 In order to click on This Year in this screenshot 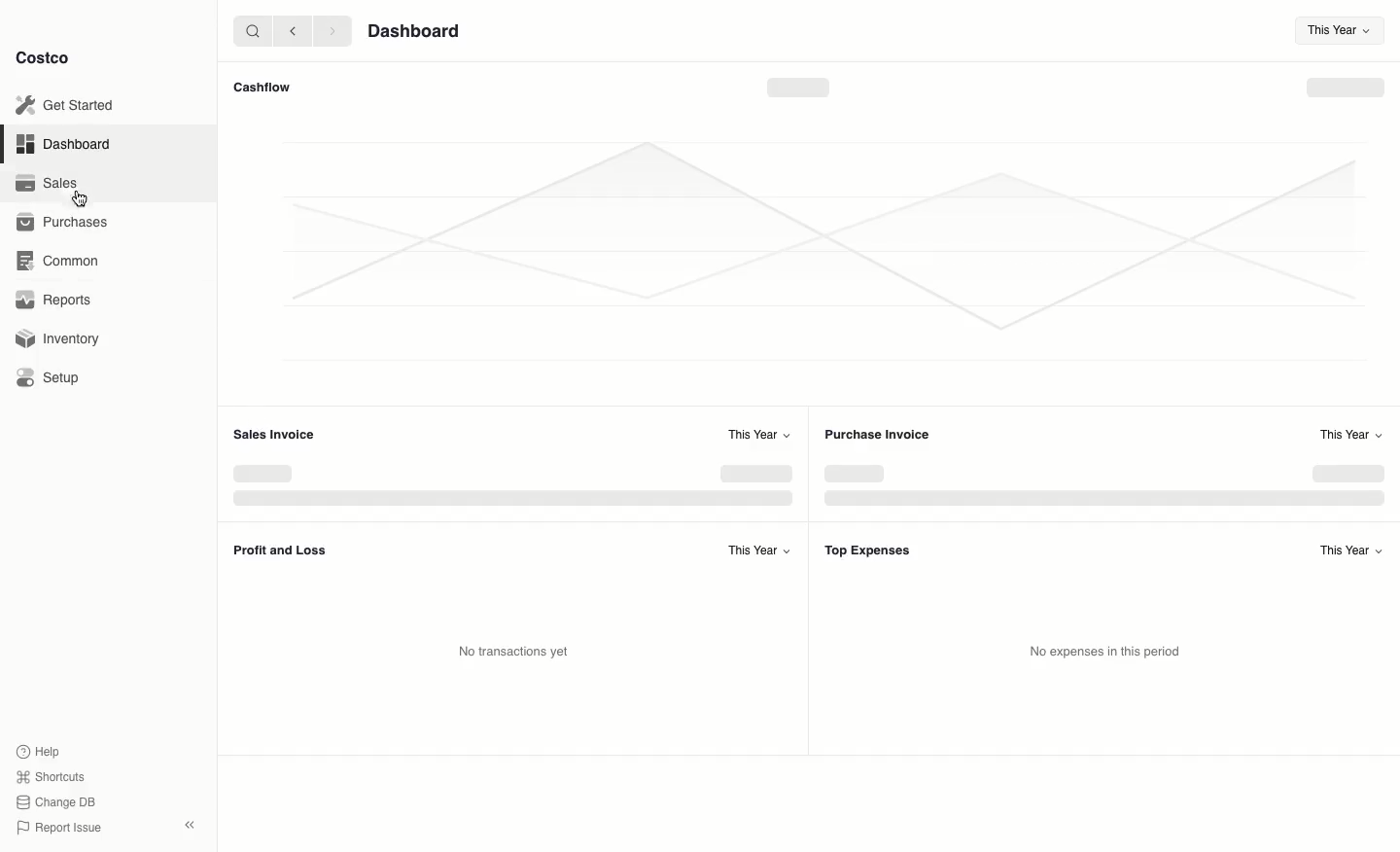, I will do `click(1345, 548)`.